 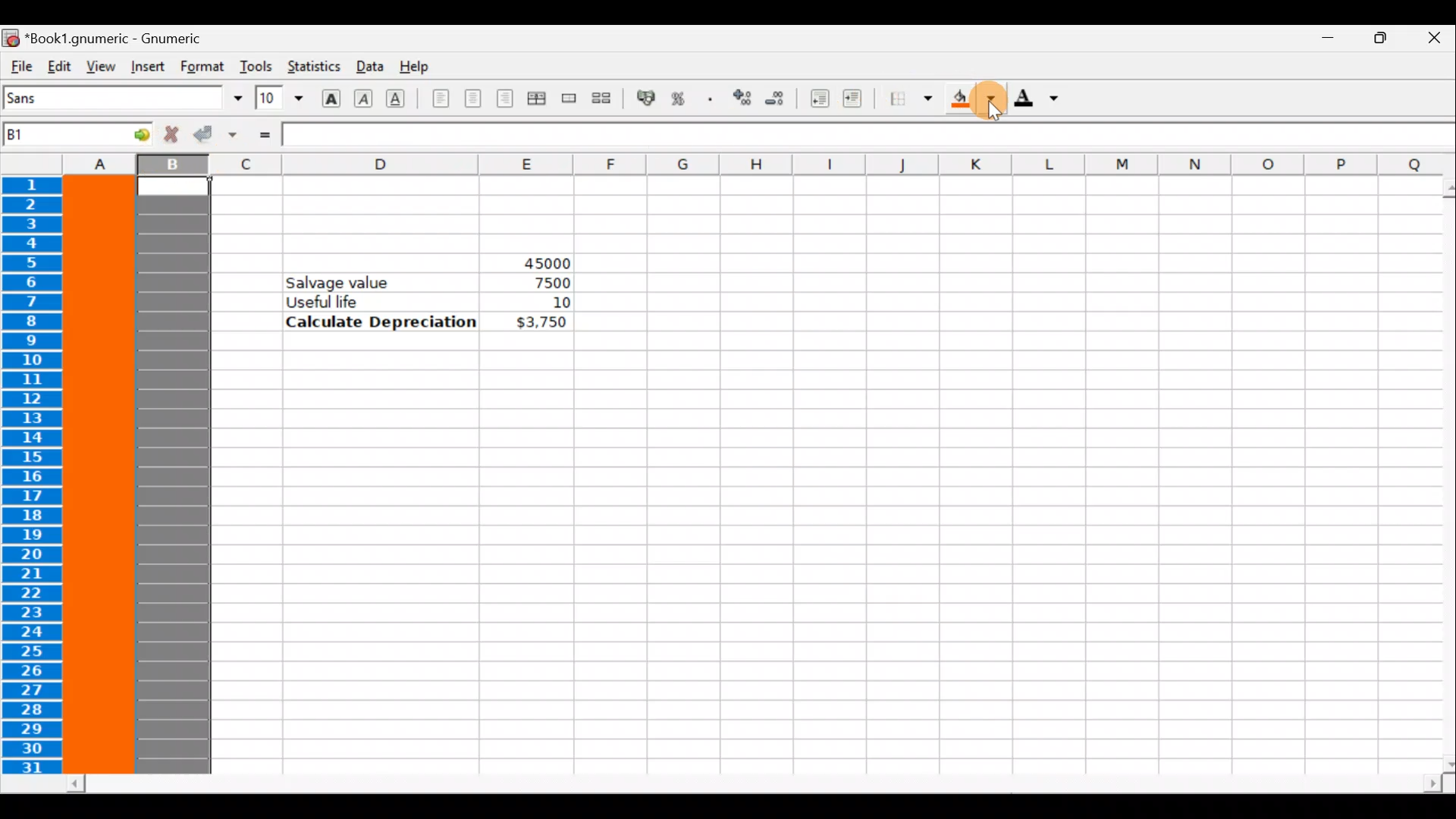 I want to click on Accept change, so click(x=215, y=135).